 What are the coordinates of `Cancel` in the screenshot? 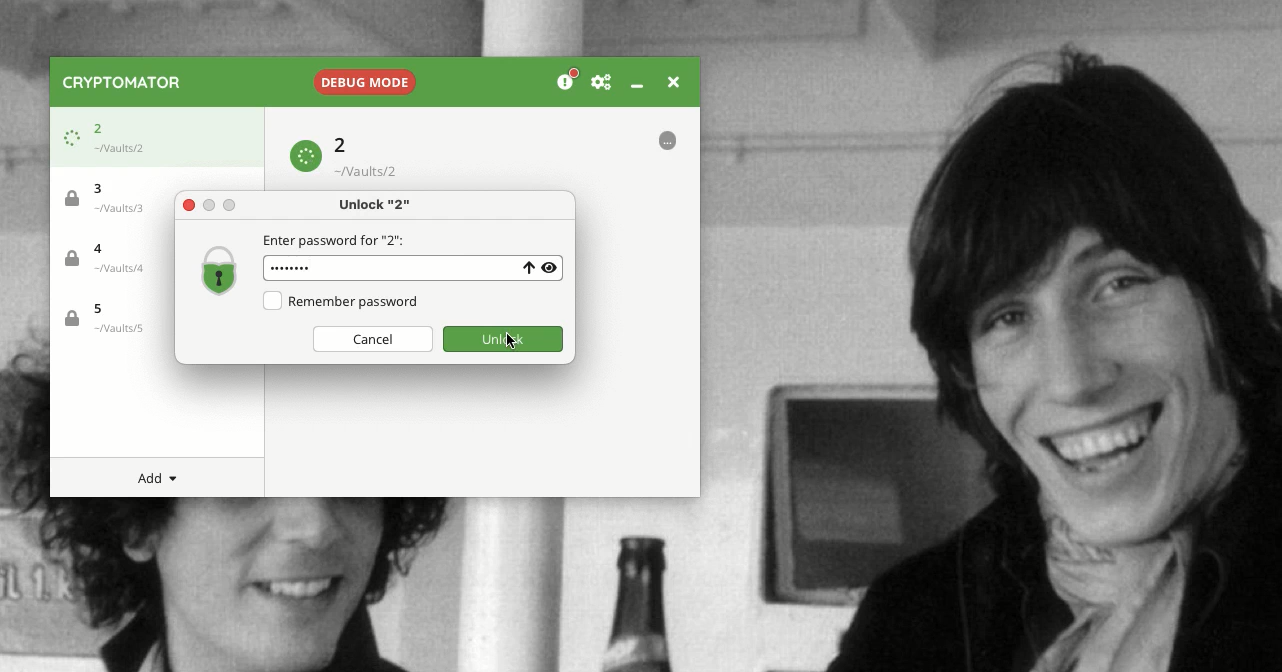 It's located at (371, 340).